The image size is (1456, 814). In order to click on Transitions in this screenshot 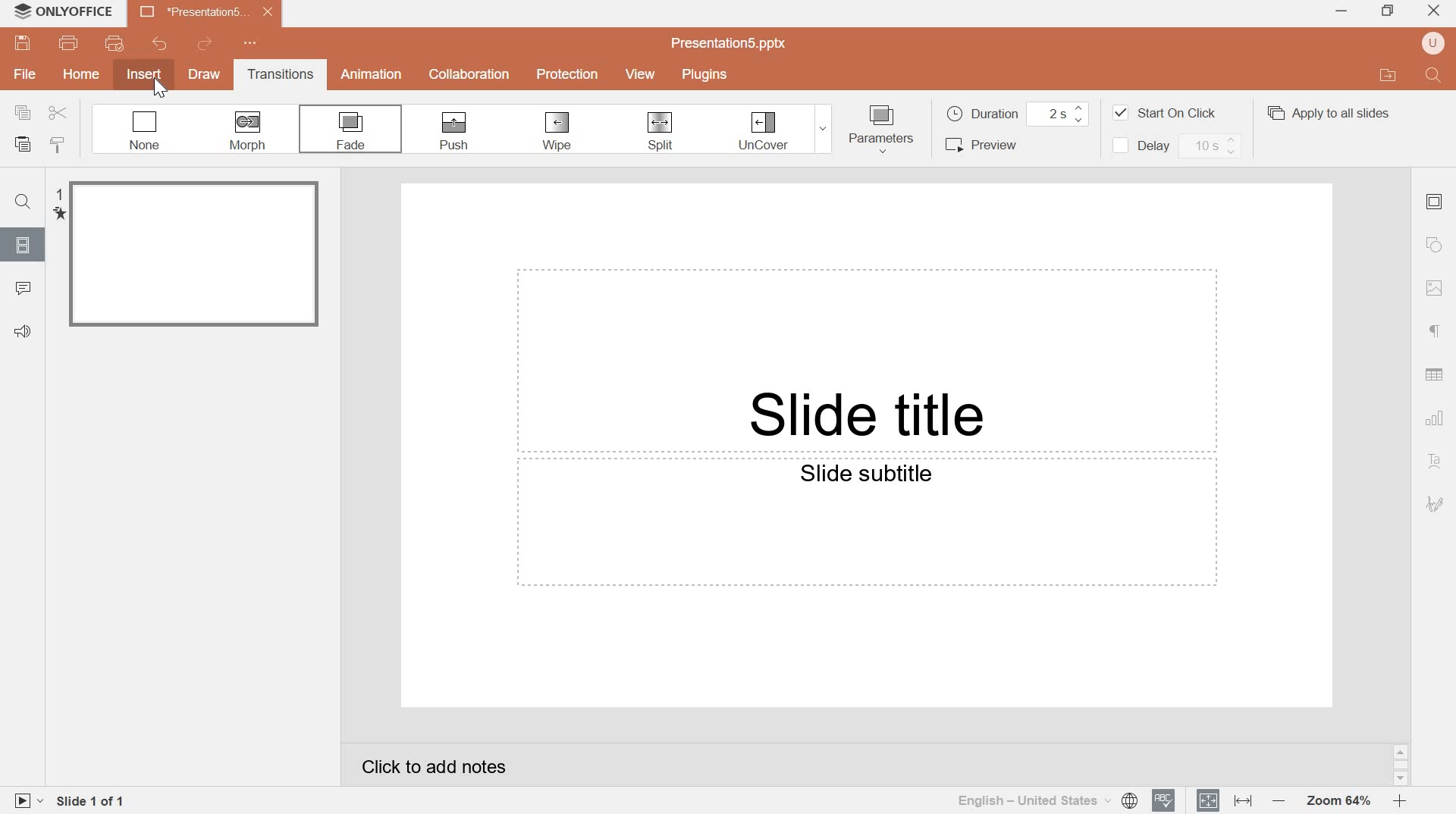, I will do `click(277, 74)`.